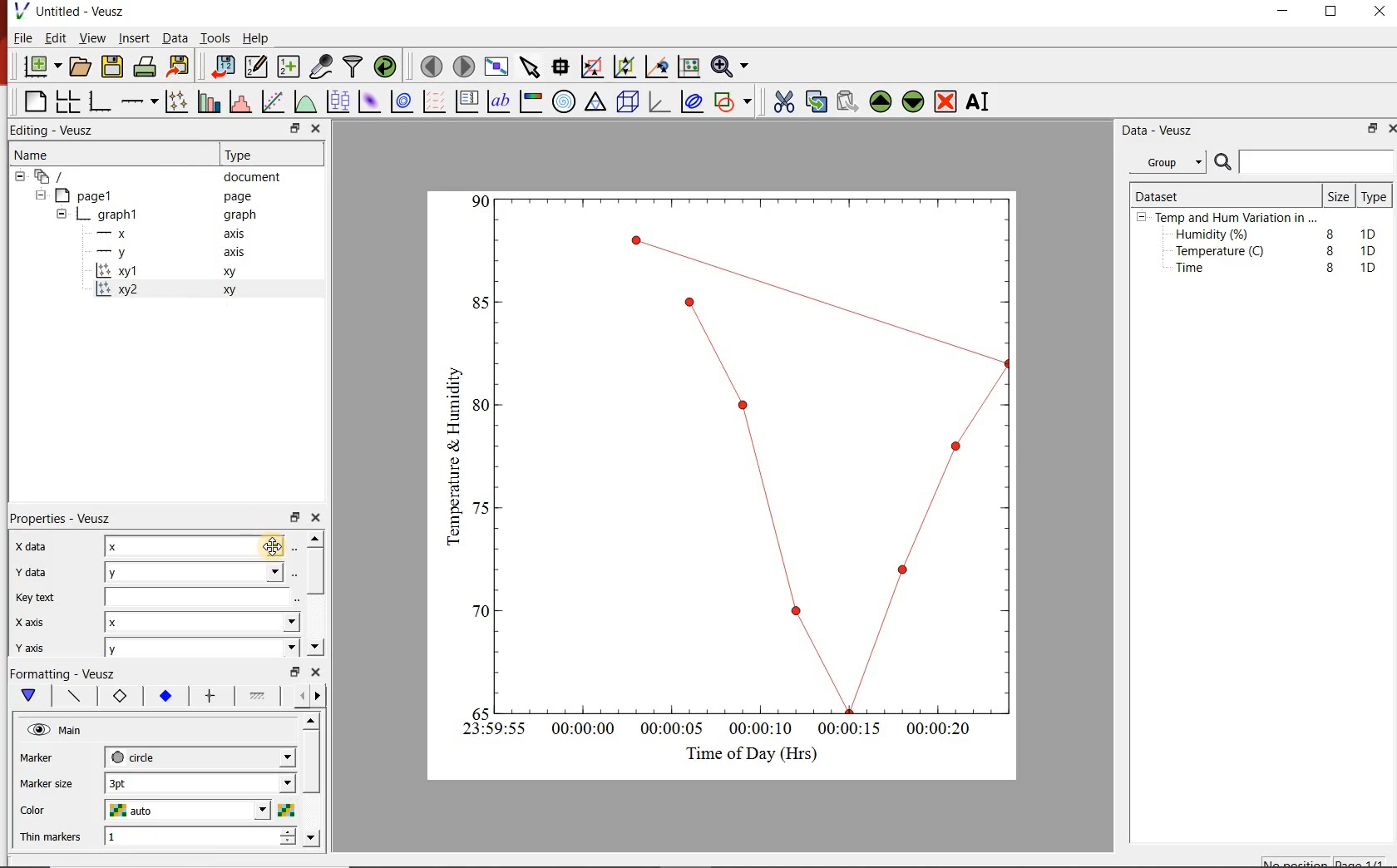 The width and height of the screenshot is (1397, 868). I want to click on close, so click(1389, 128).